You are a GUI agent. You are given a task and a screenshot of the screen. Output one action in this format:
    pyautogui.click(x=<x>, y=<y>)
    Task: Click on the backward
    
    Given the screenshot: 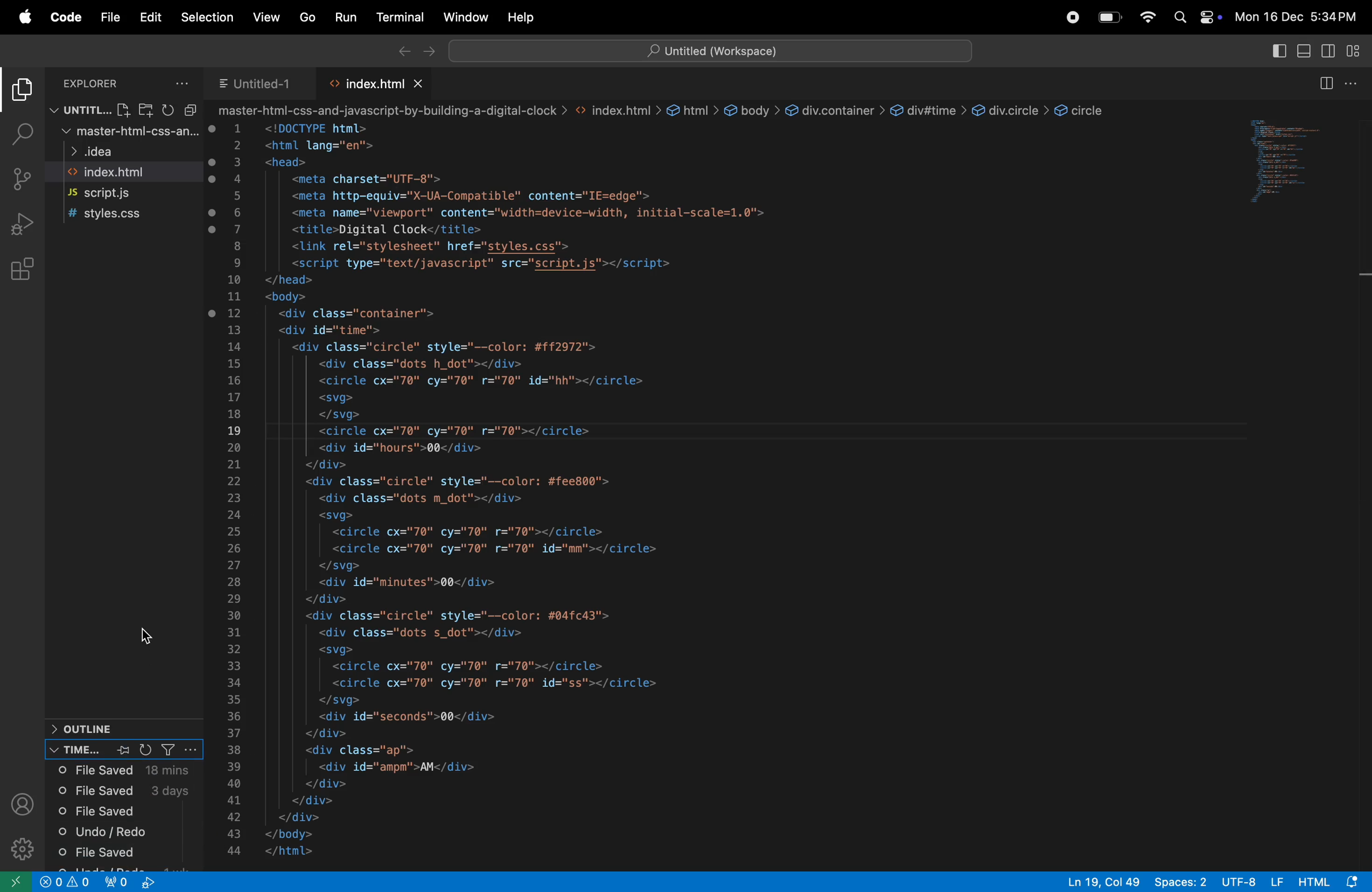 What is the action you would take?
    pyautogui.click(x=402, y=50)
    